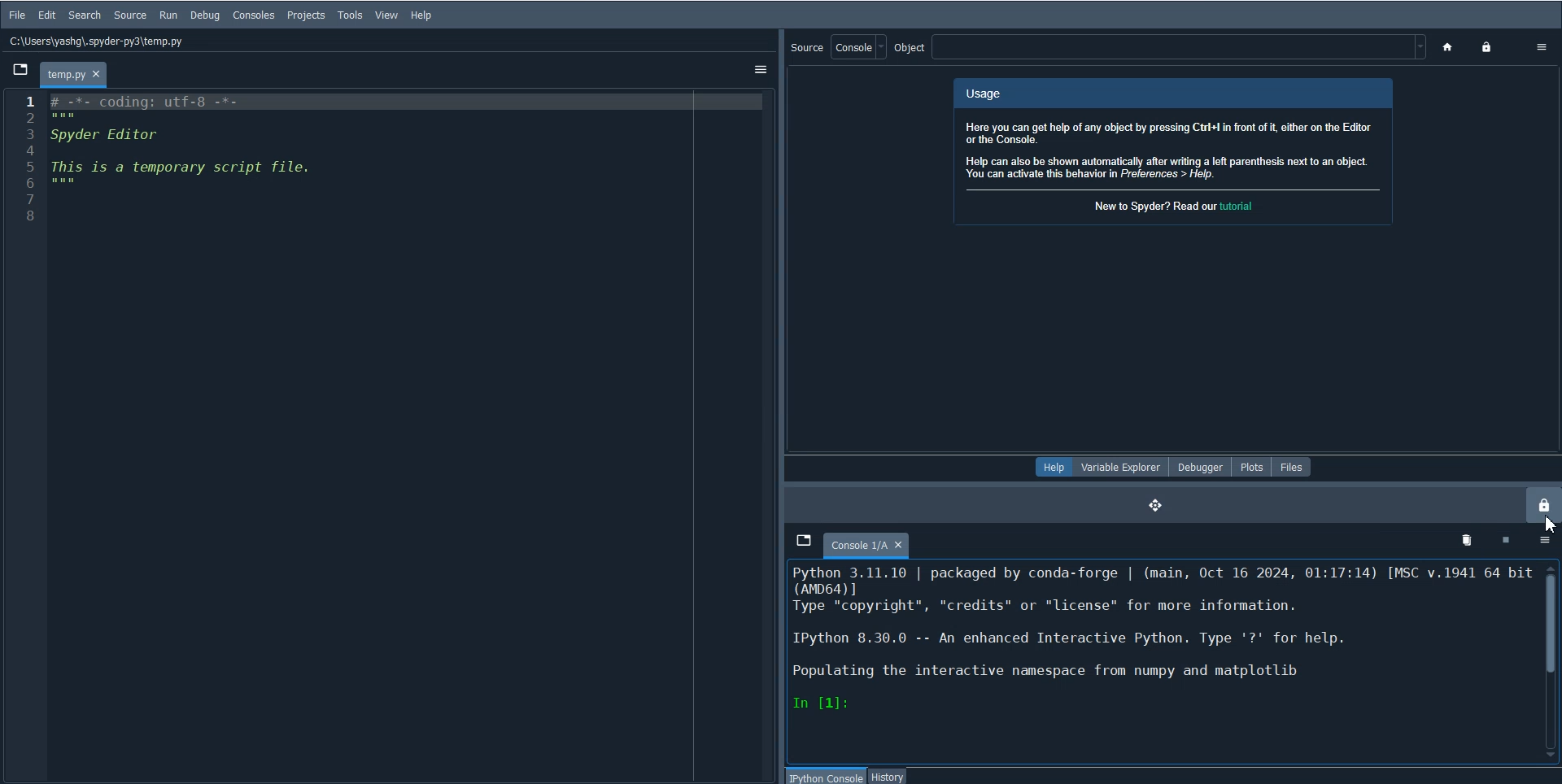 This screenshot has width=1562, height=784. What do you see at coordinates (1551, 524) in the screenshot?
I see `Cursor` at bounding box center [1551, 524].